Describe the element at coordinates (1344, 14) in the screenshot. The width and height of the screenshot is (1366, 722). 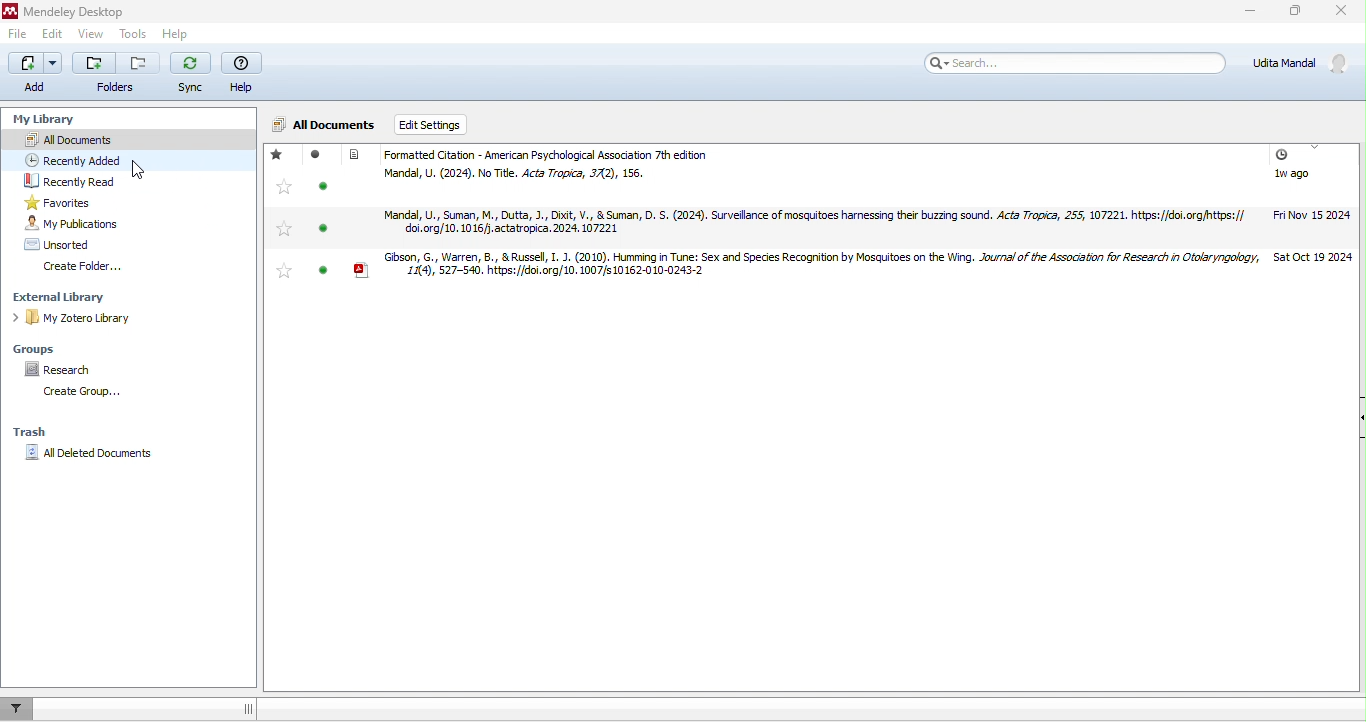
I see `close` at that location.